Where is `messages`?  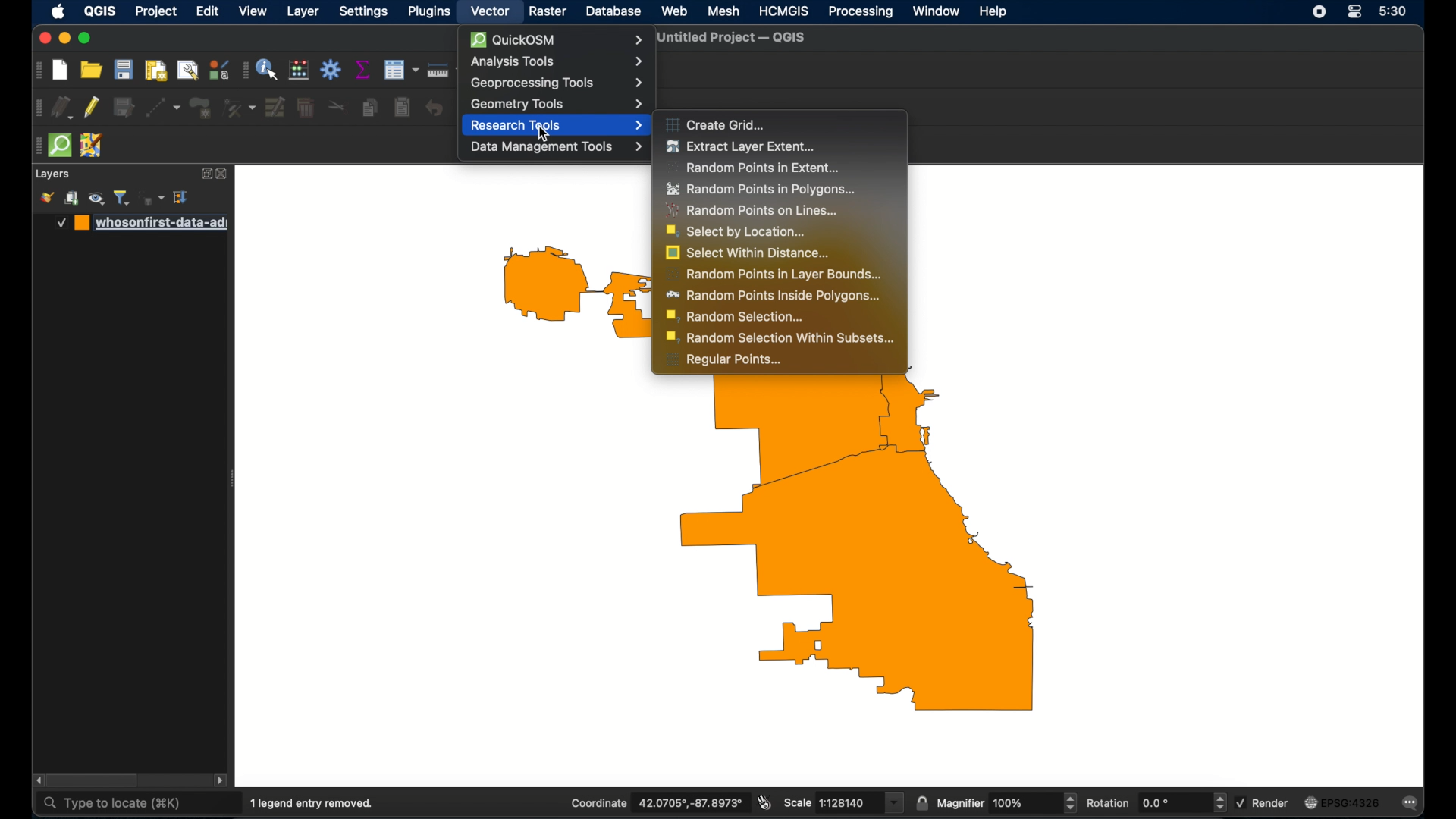
messages is located at coordinates (1412, 804).